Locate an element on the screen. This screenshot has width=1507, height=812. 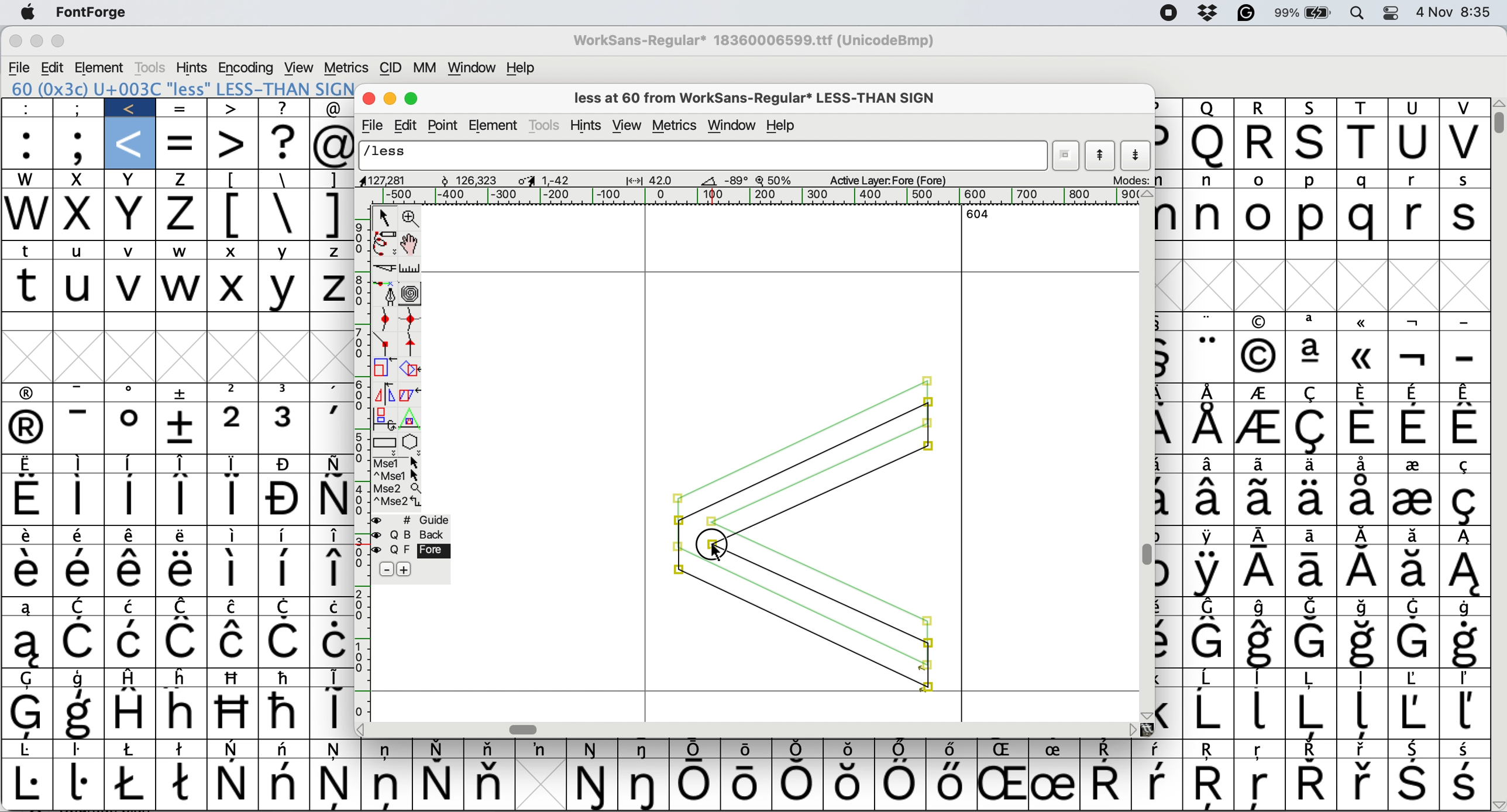
modes is located at coordinates (1132, 180).